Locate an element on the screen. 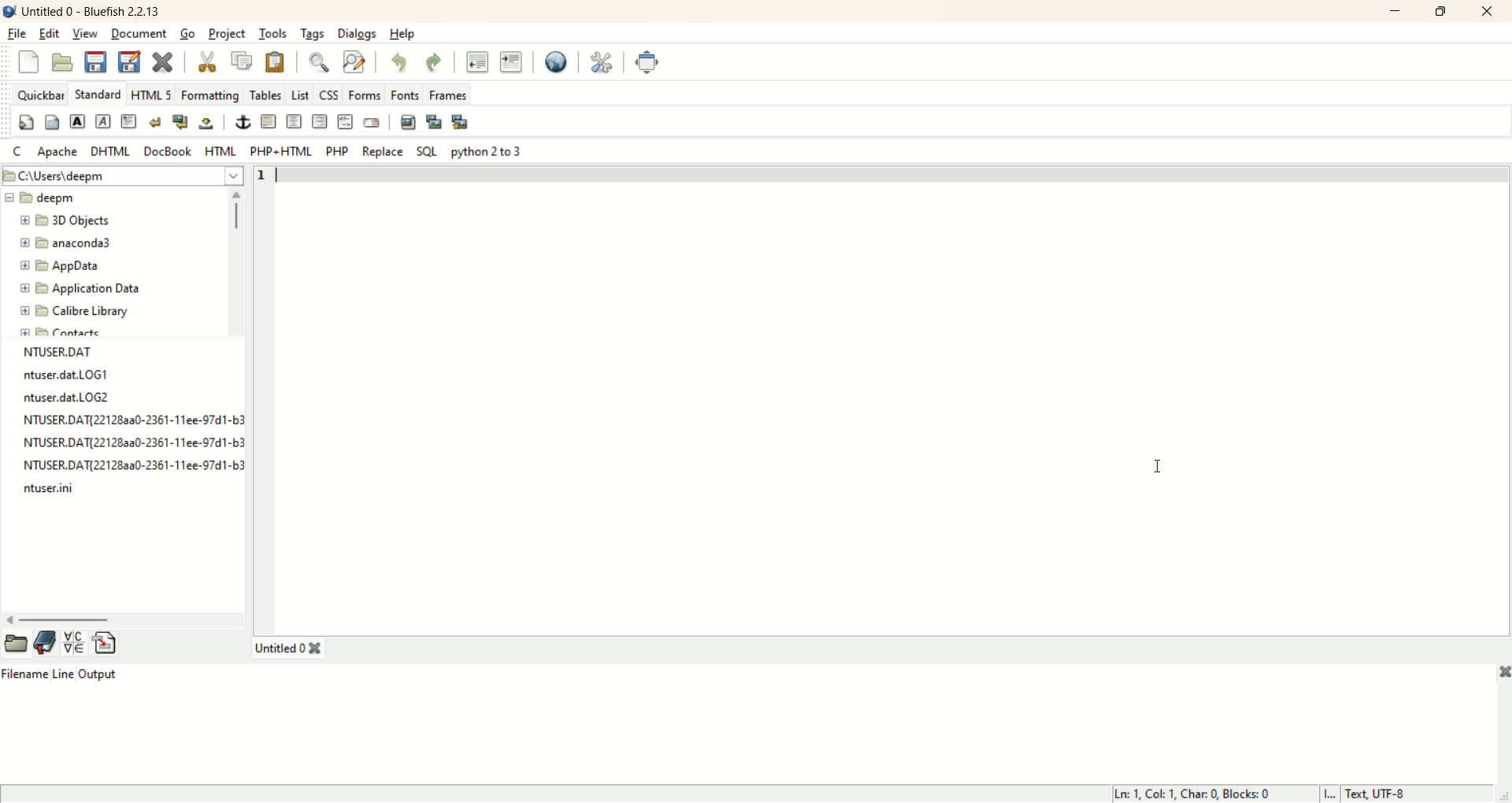  horizontal scroll bar is located at coordinates (122, 616).